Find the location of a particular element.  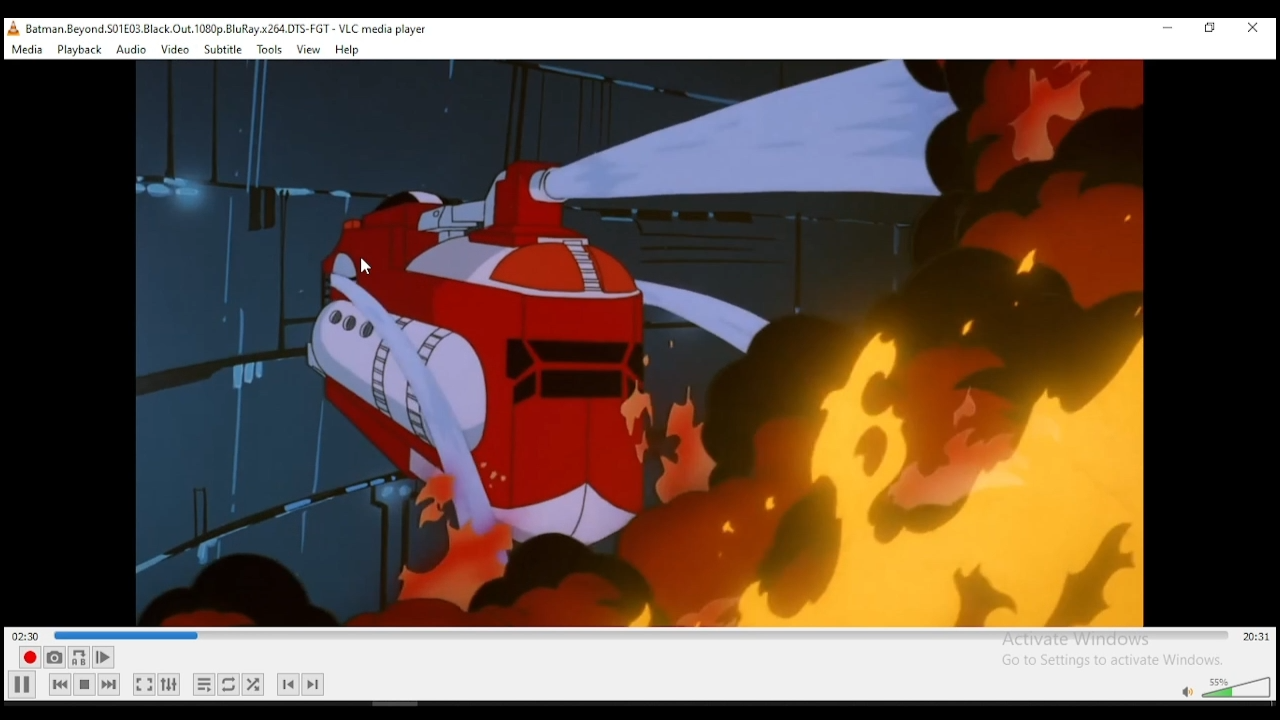

record is located at coordinates (28, 656).